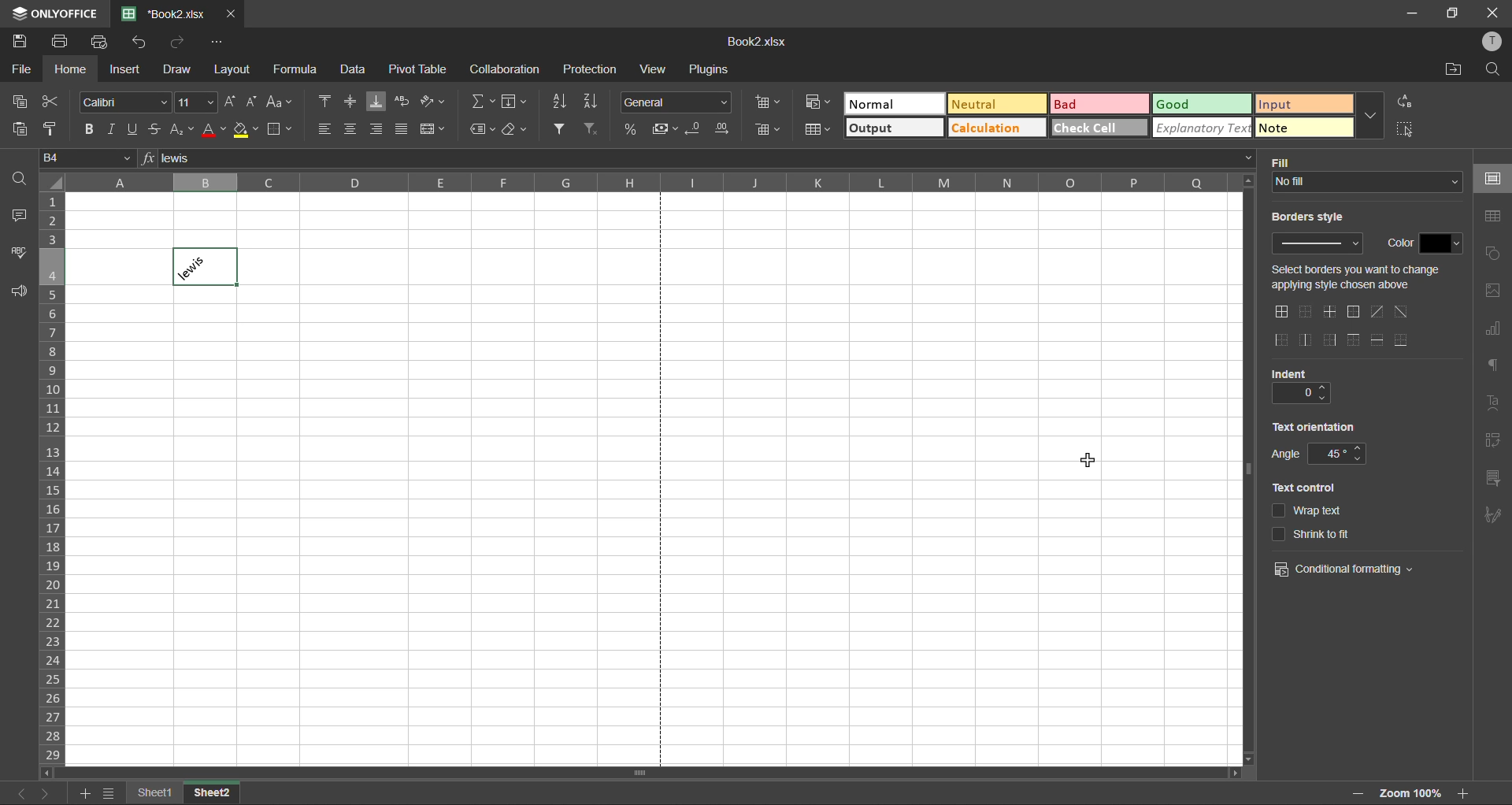 This screenshot has width=1512, height=805. What do you see at coordinates (21, 43) in the screenshot?
I see `save` at bounding box center [21, 43].